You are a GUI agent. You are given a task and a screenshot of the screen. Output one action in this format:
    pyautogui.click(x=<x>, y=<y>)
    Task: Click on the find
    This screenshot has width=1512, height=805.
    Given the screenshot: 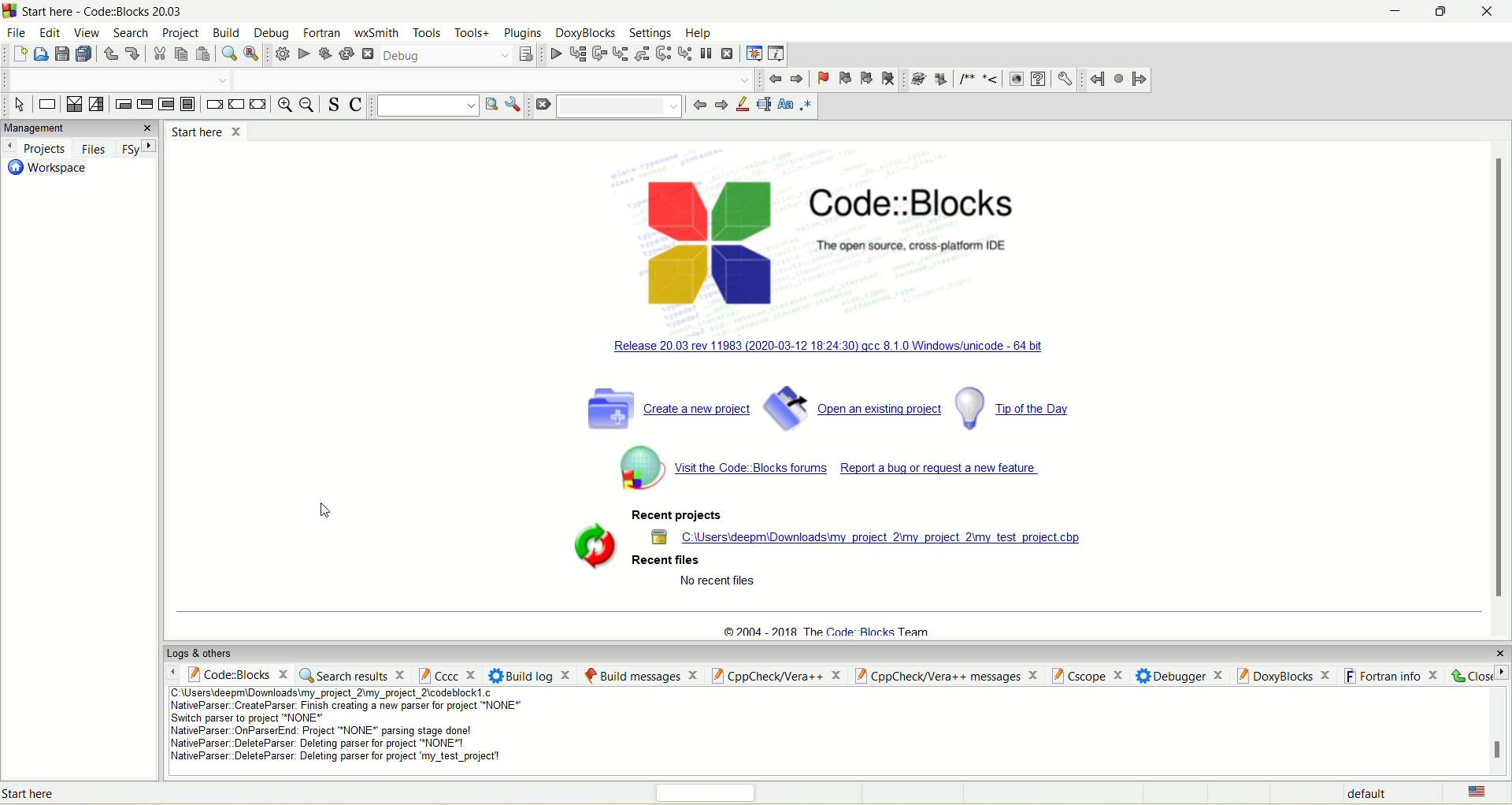 What is the action you would take?
    pyautogui.click(x=229, y=54)
    